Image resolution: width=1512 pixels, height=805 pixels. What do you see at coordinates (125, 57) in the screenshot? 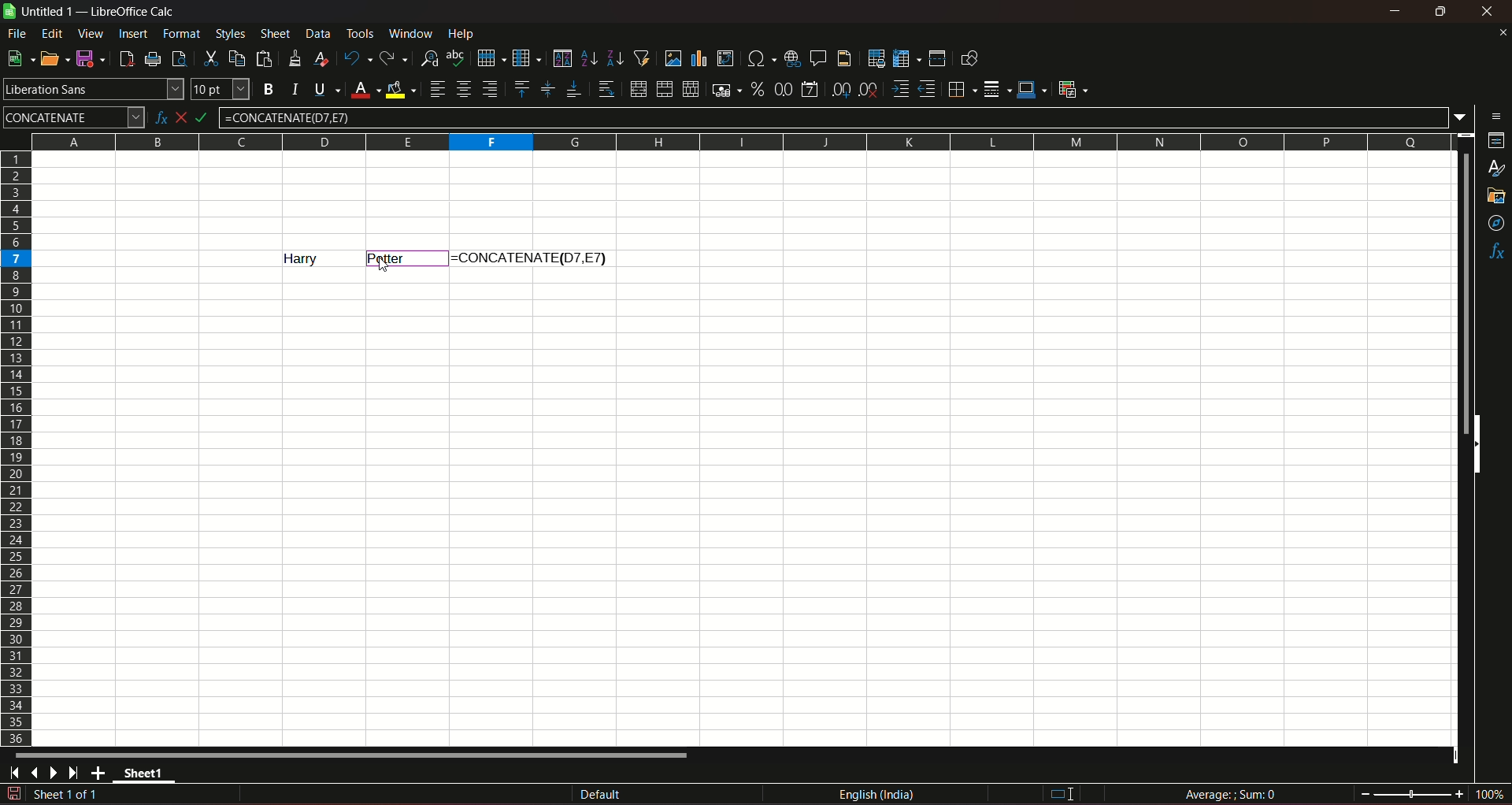
I see `export directly as PDF` at bounding box center [125, 57].